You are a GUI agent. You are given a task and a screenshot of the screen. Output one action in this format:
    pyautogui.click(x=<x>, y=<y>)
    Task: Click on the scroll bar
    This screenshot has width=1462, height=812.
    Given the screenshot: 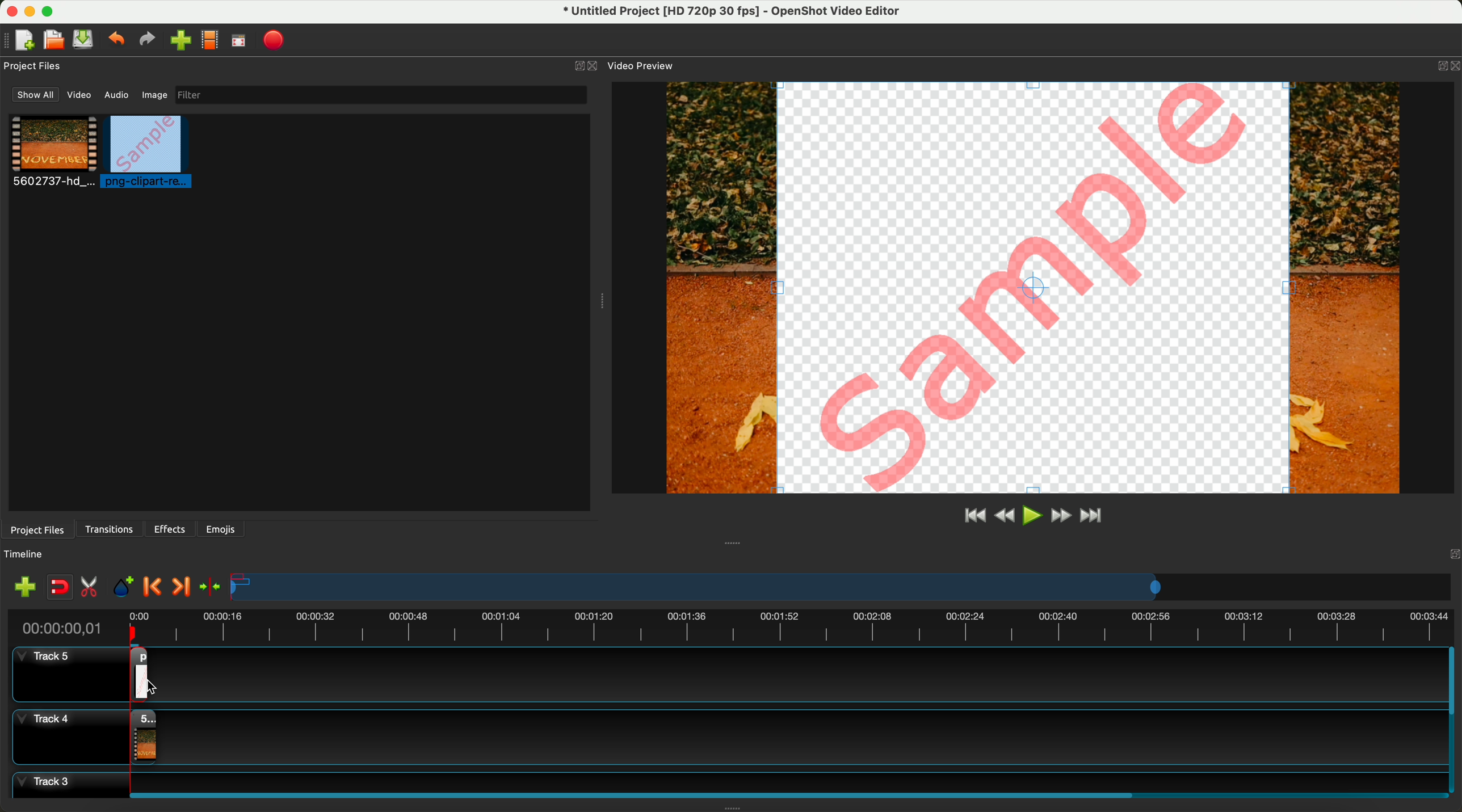 What is the action you would take?
    pyautogui.click(x=1453, y=720)
    